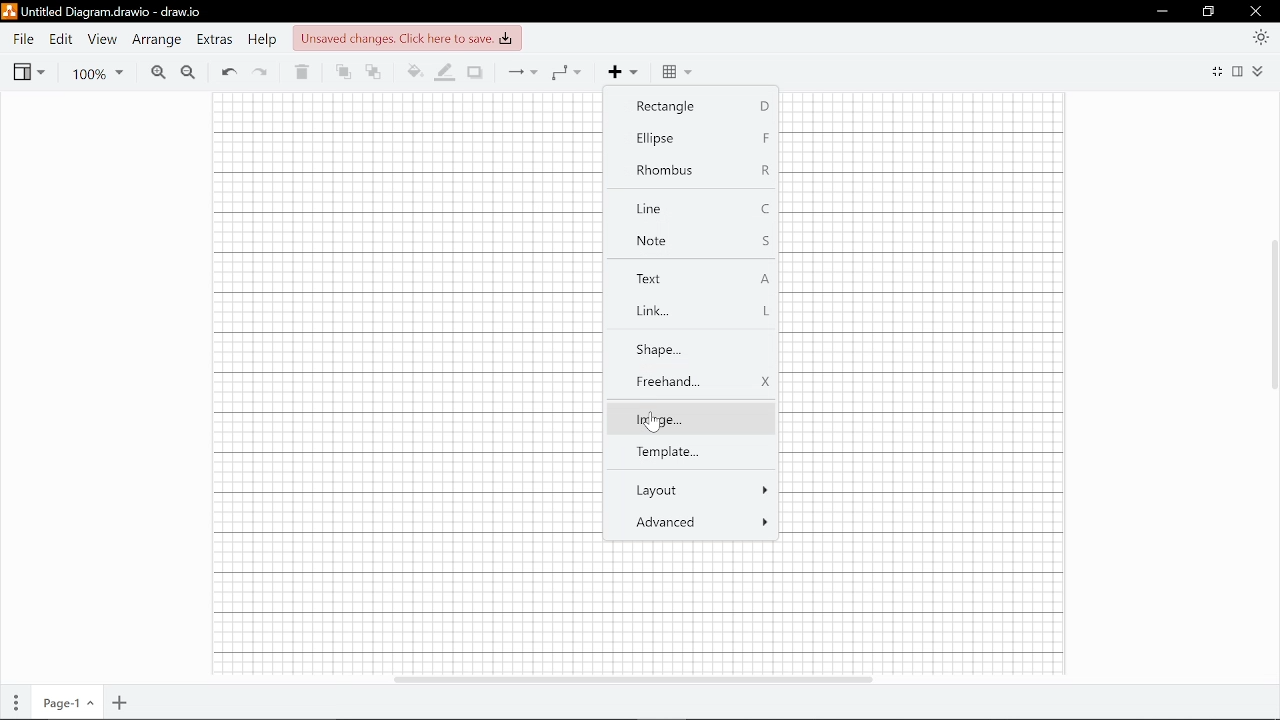  What do you see at coordinates (103, 40) in the screenshot?
I see `View` at bounding box center [103, 40].